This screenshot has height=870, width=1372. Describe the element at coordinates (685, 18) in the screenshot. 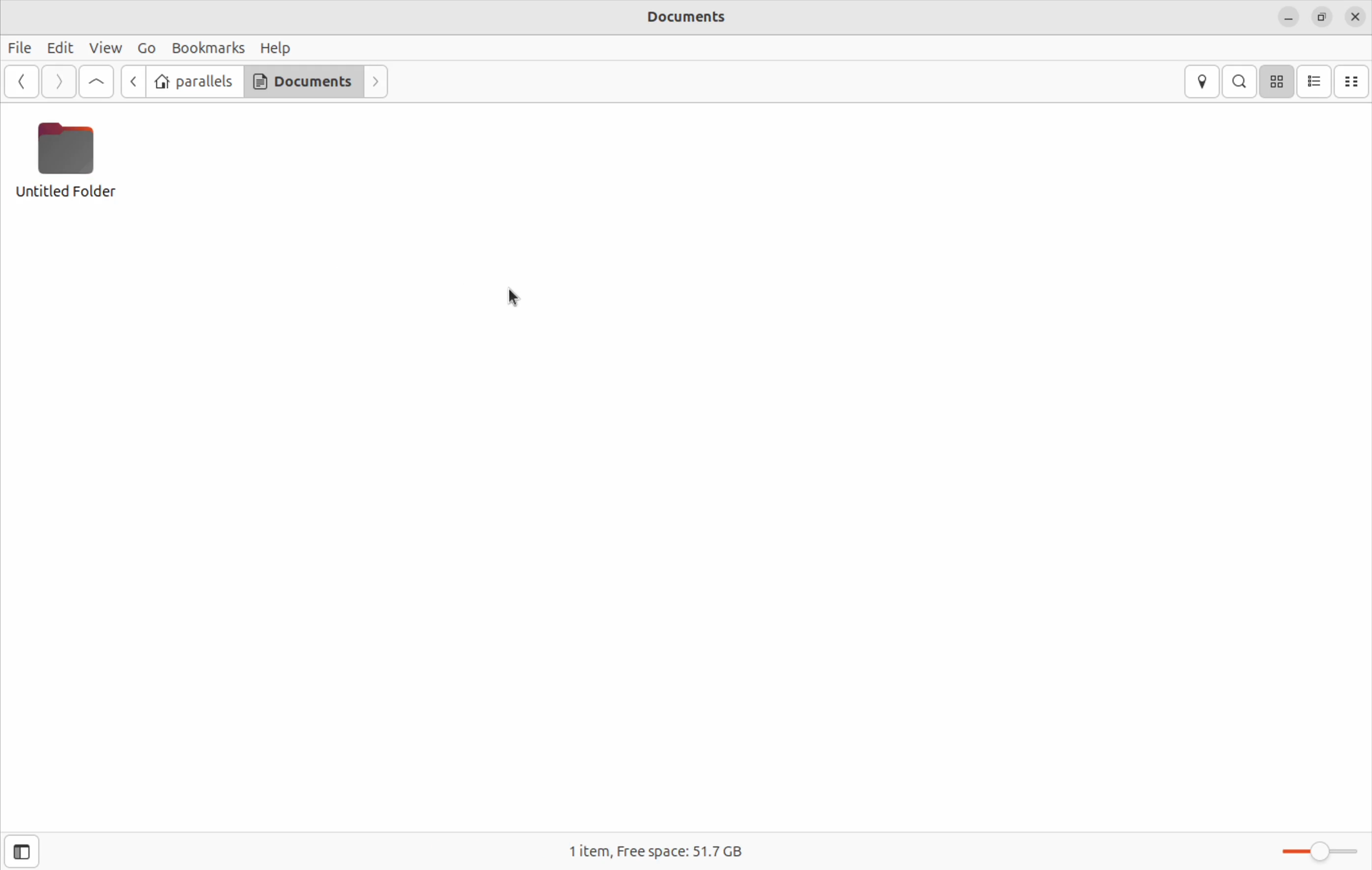

I see `Documents` at that location.